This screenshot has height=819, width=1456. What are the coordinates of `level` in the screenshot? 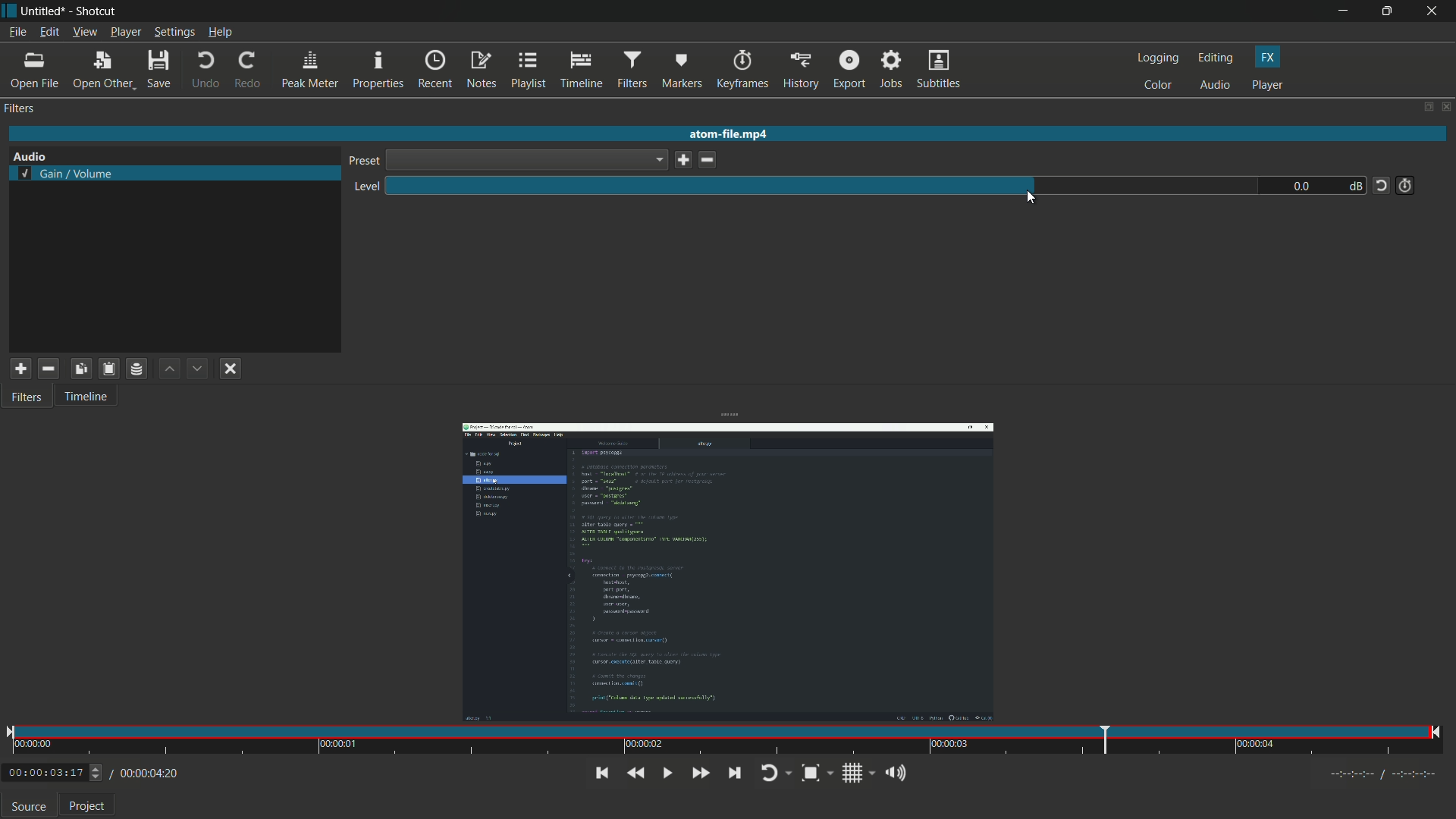 It's located at (366, 187).